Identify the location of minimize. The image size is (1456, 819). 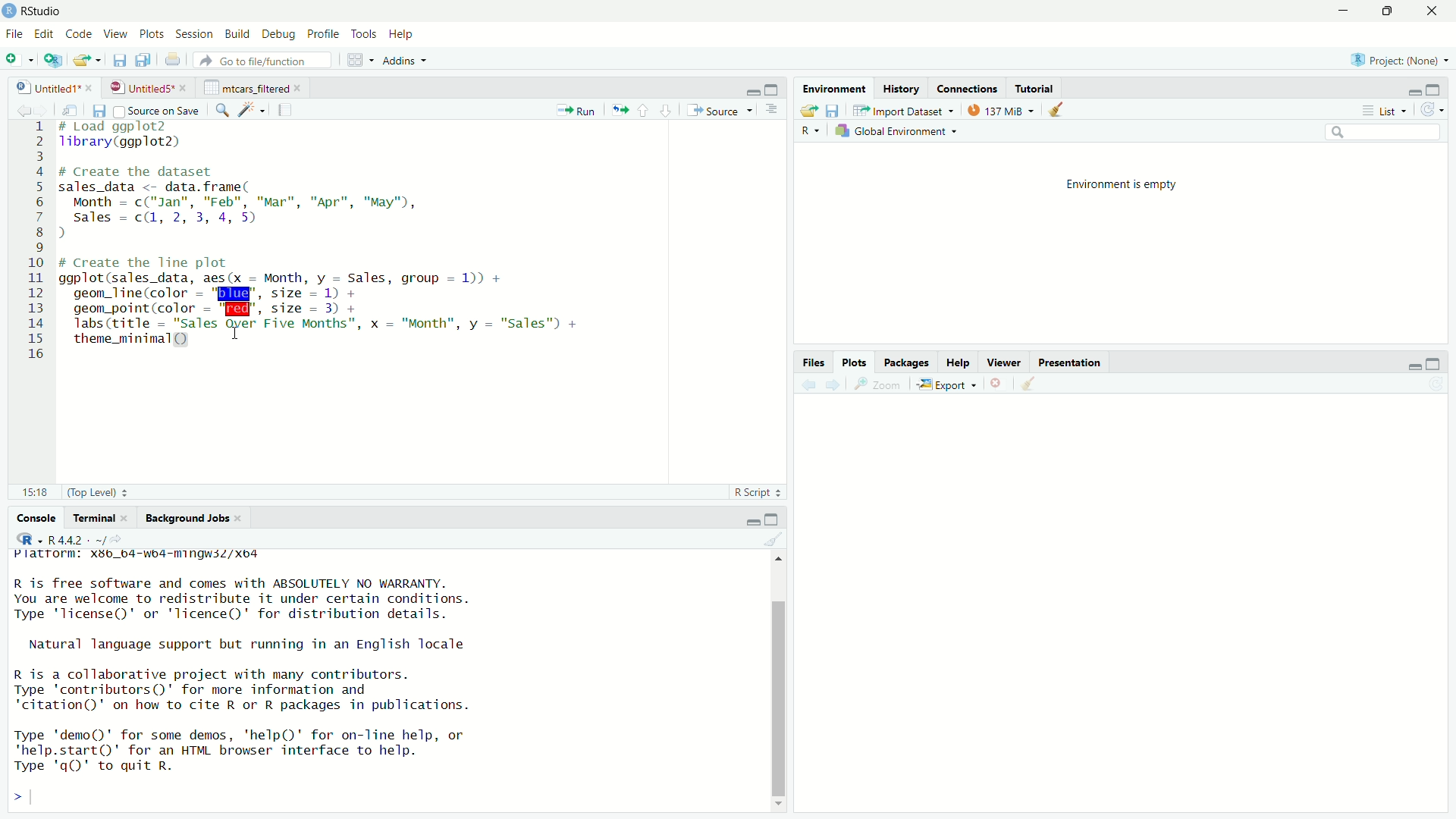
(1414, 90).